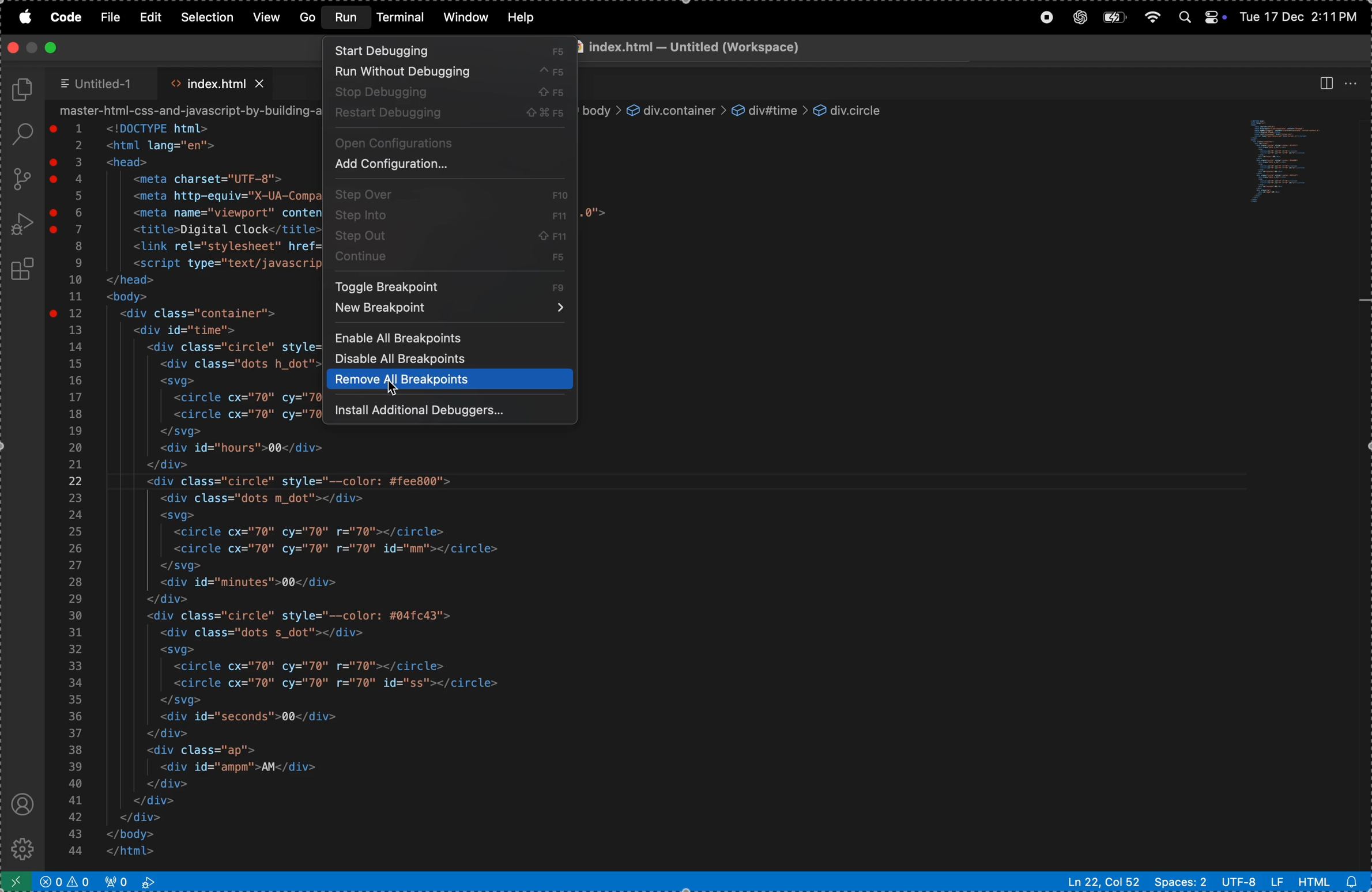  What do you see at coordinates (216, 81) in the screenshot?
I see `index.html` at bounding box center [216, 81].